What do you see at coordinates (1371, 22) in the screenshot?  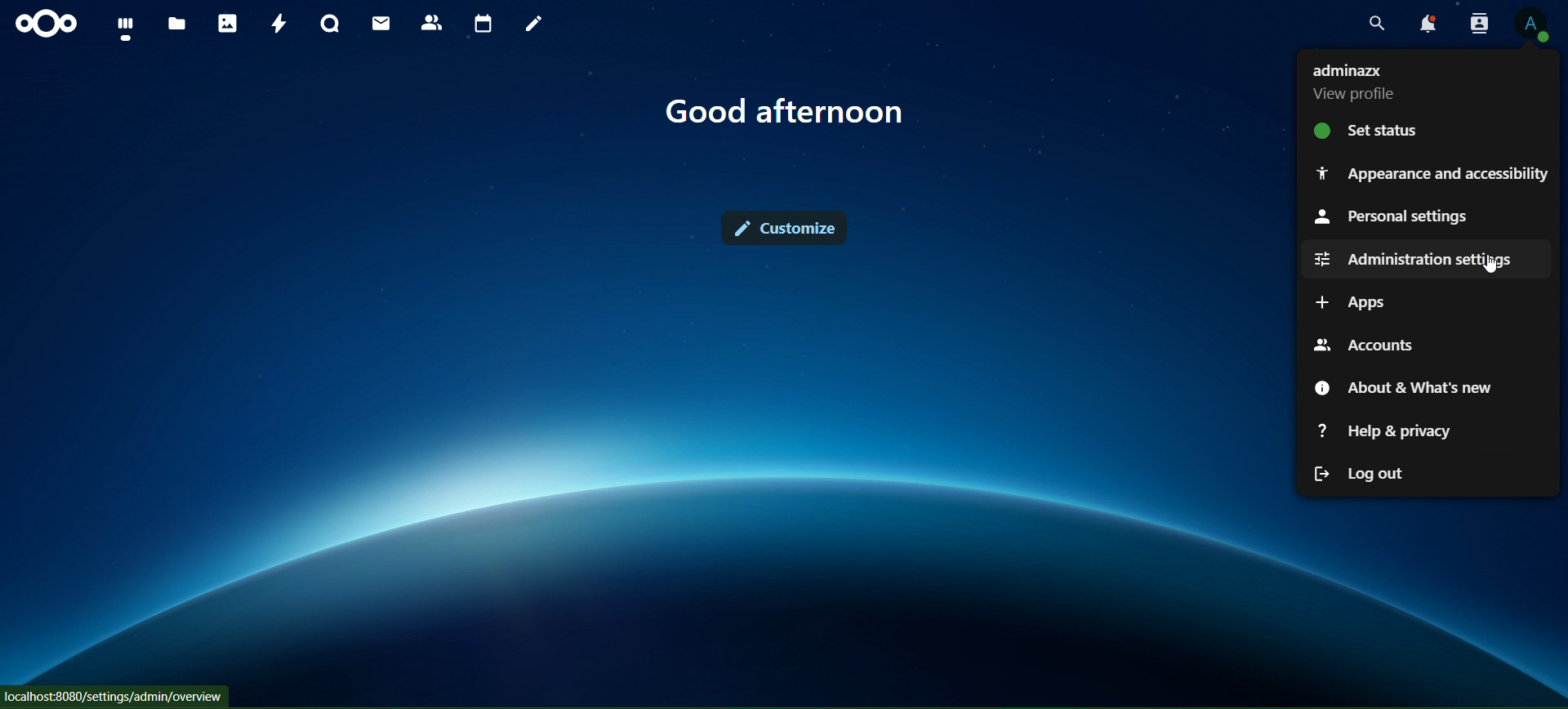 I see `search` at bounding box center [1371, 22].